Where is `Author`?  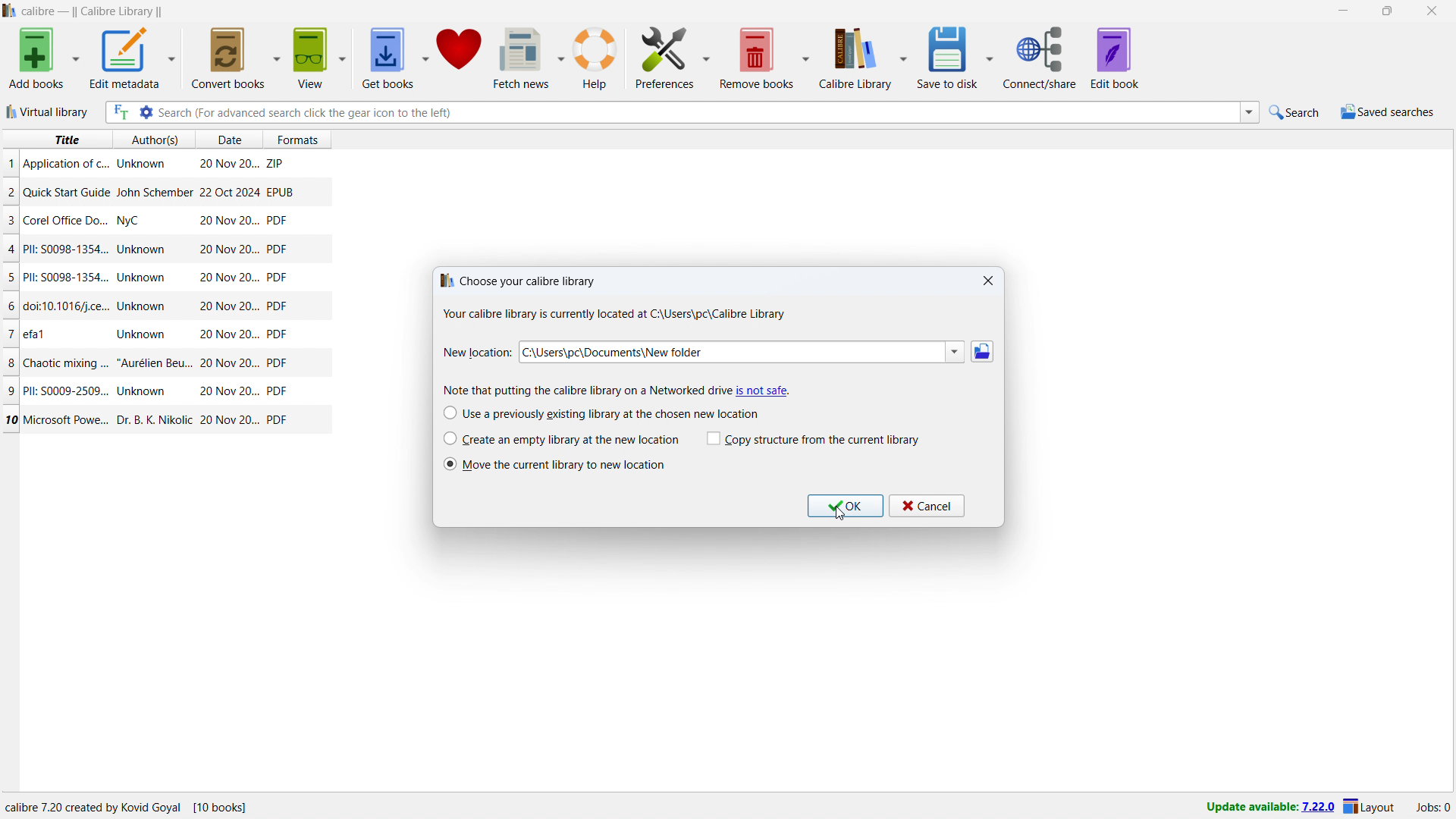
Author is located at coordinates (152, 418).